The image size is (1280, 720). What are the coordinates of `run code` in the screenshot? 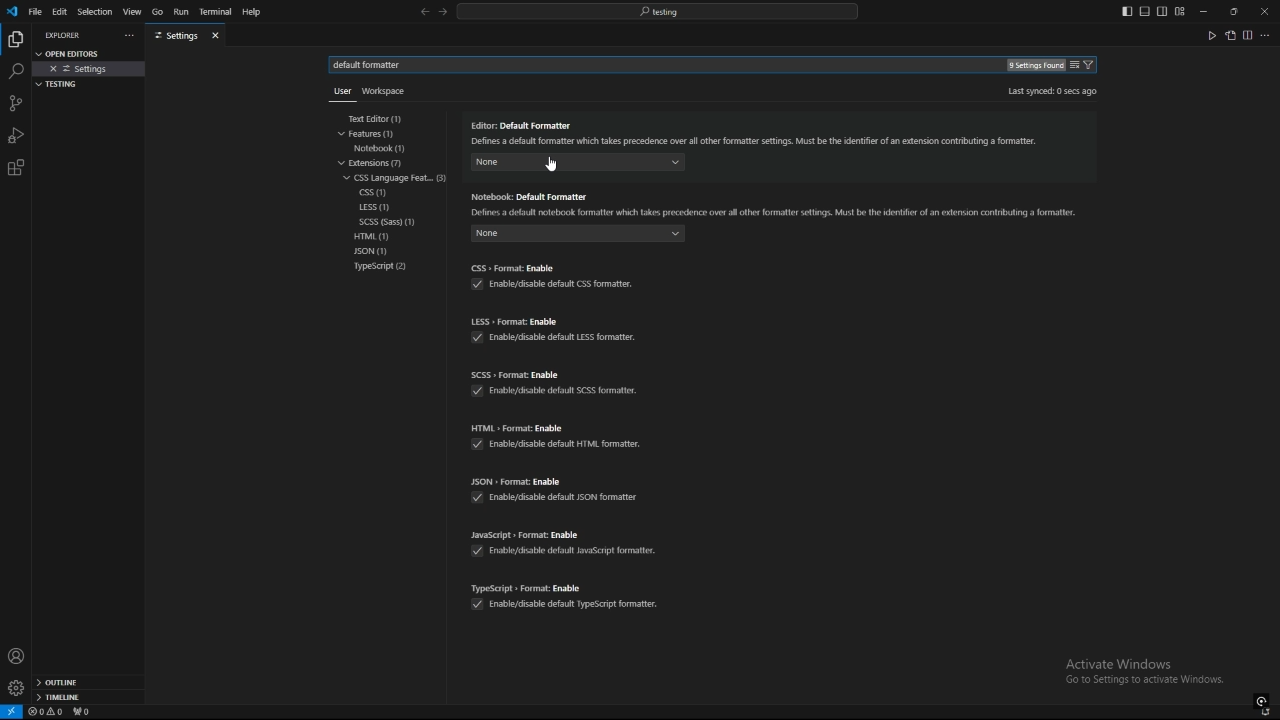 It's located at (1211, 35).